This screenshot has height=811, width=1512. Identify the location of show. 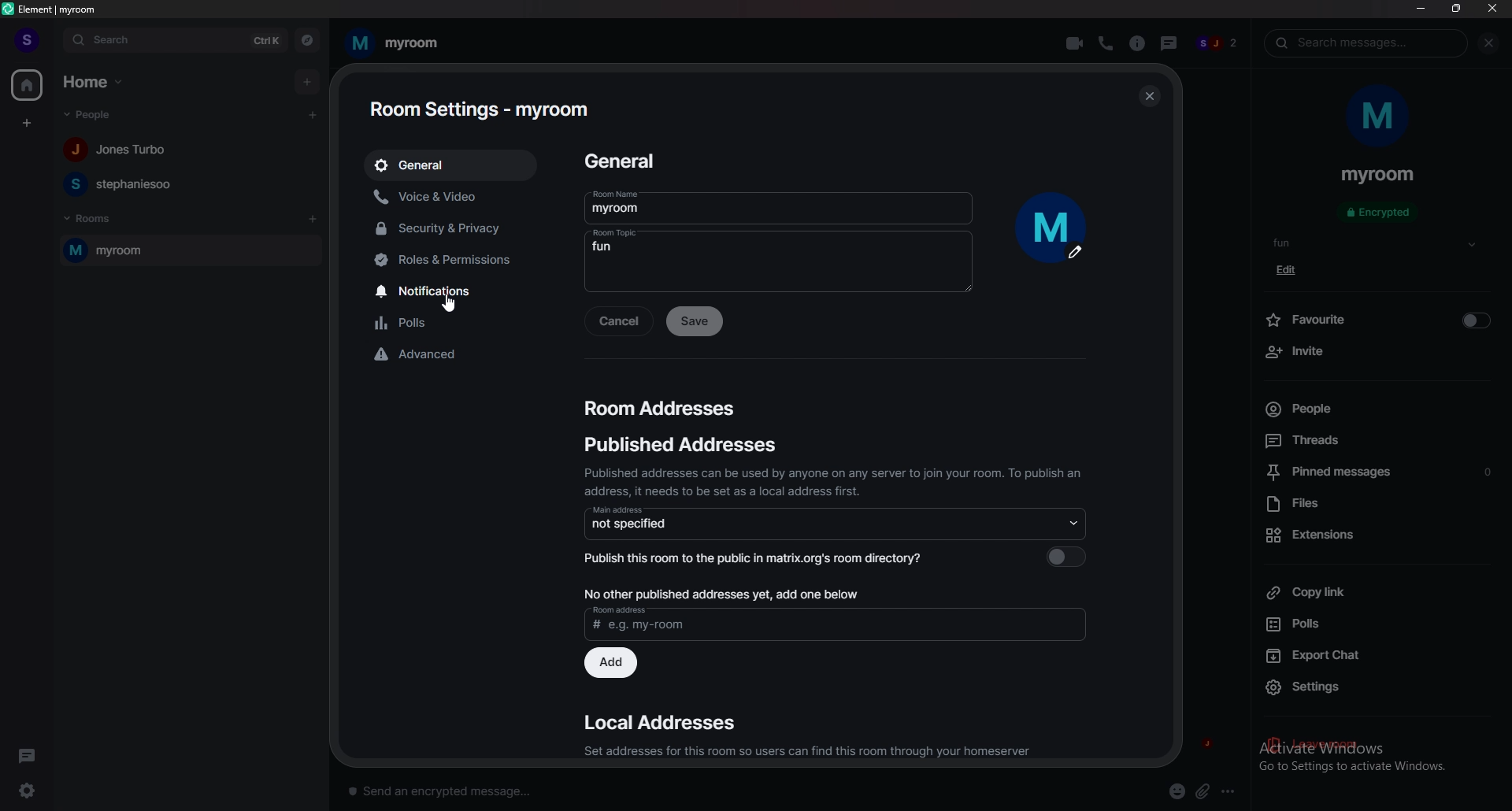
(1472, 245).